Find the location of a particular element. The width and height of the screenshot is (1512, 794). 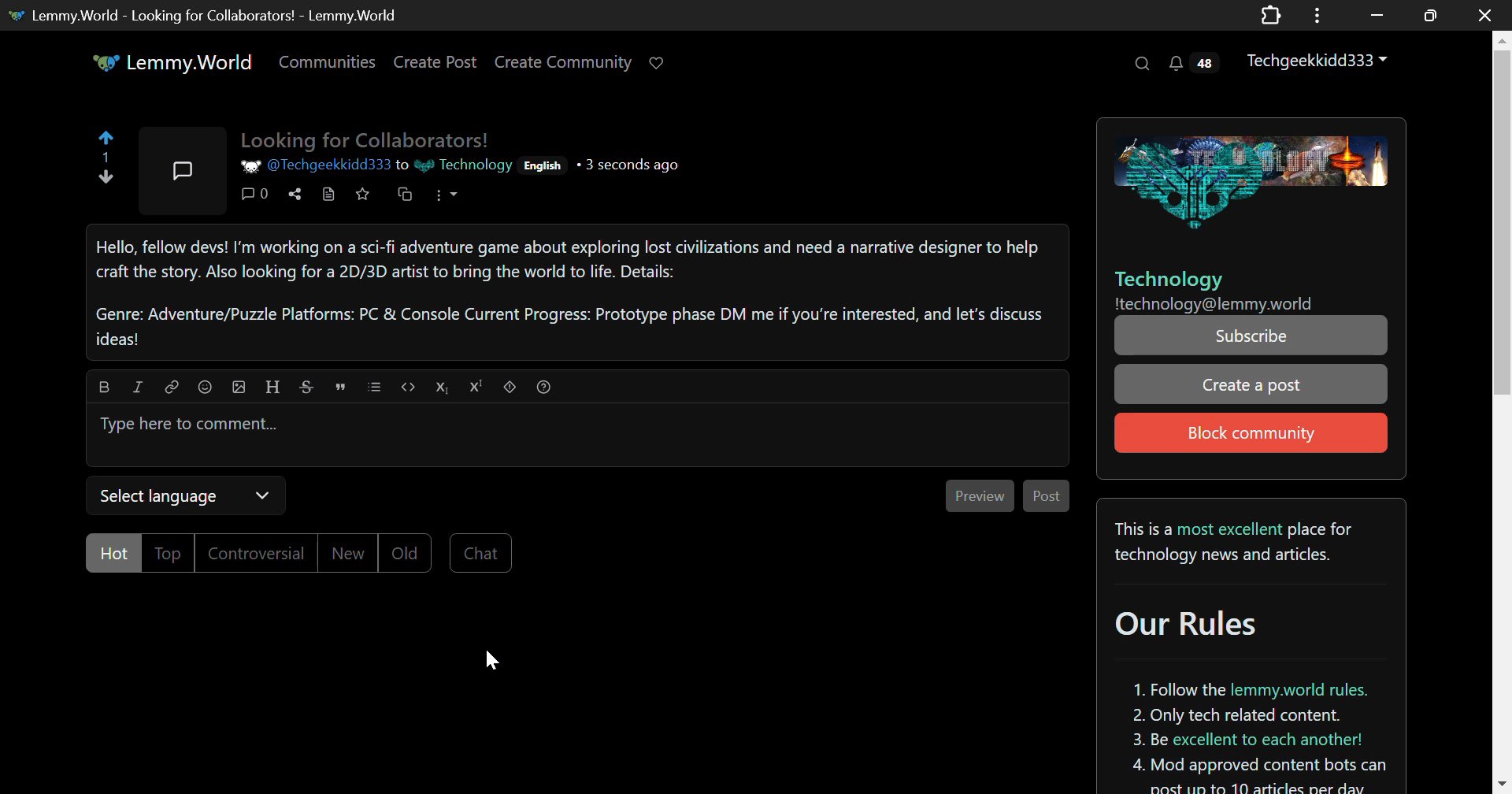

Top is located at coordinates (169, 554).